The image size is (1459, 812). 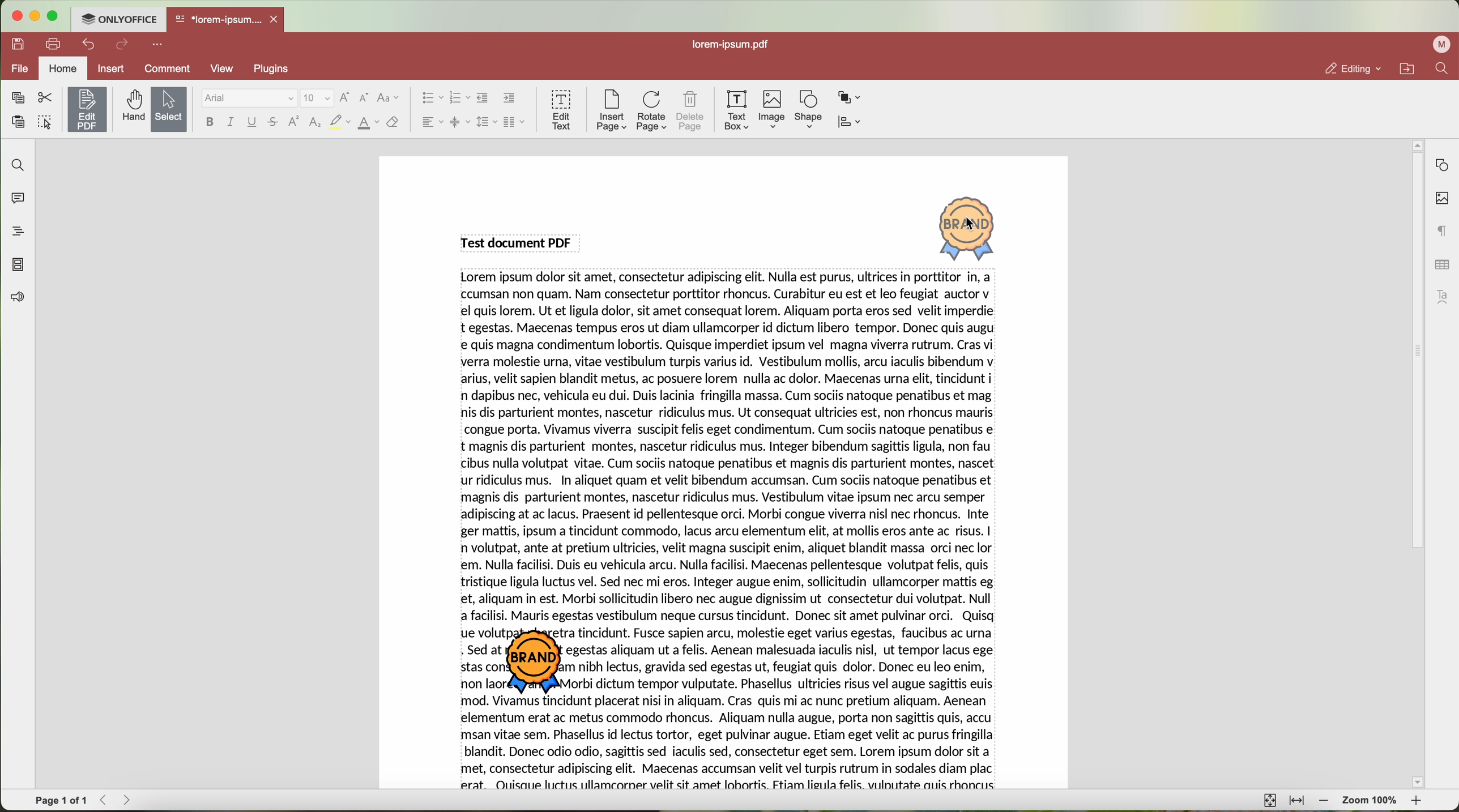 I want to click on close, so click(x=276, y=19).